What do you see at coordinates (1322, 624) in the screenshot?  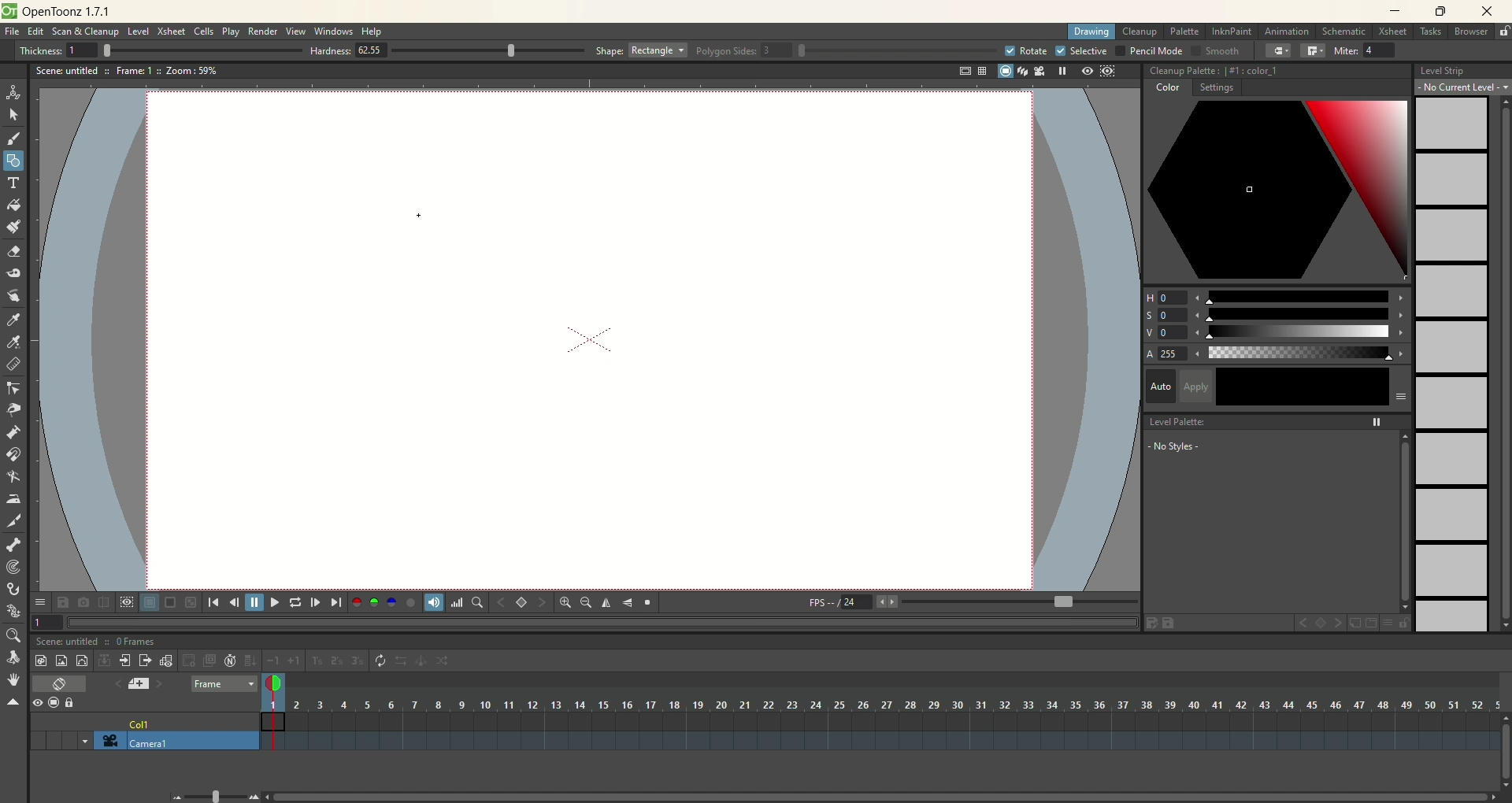 I see `set key` at bounding box center [1322, 624].